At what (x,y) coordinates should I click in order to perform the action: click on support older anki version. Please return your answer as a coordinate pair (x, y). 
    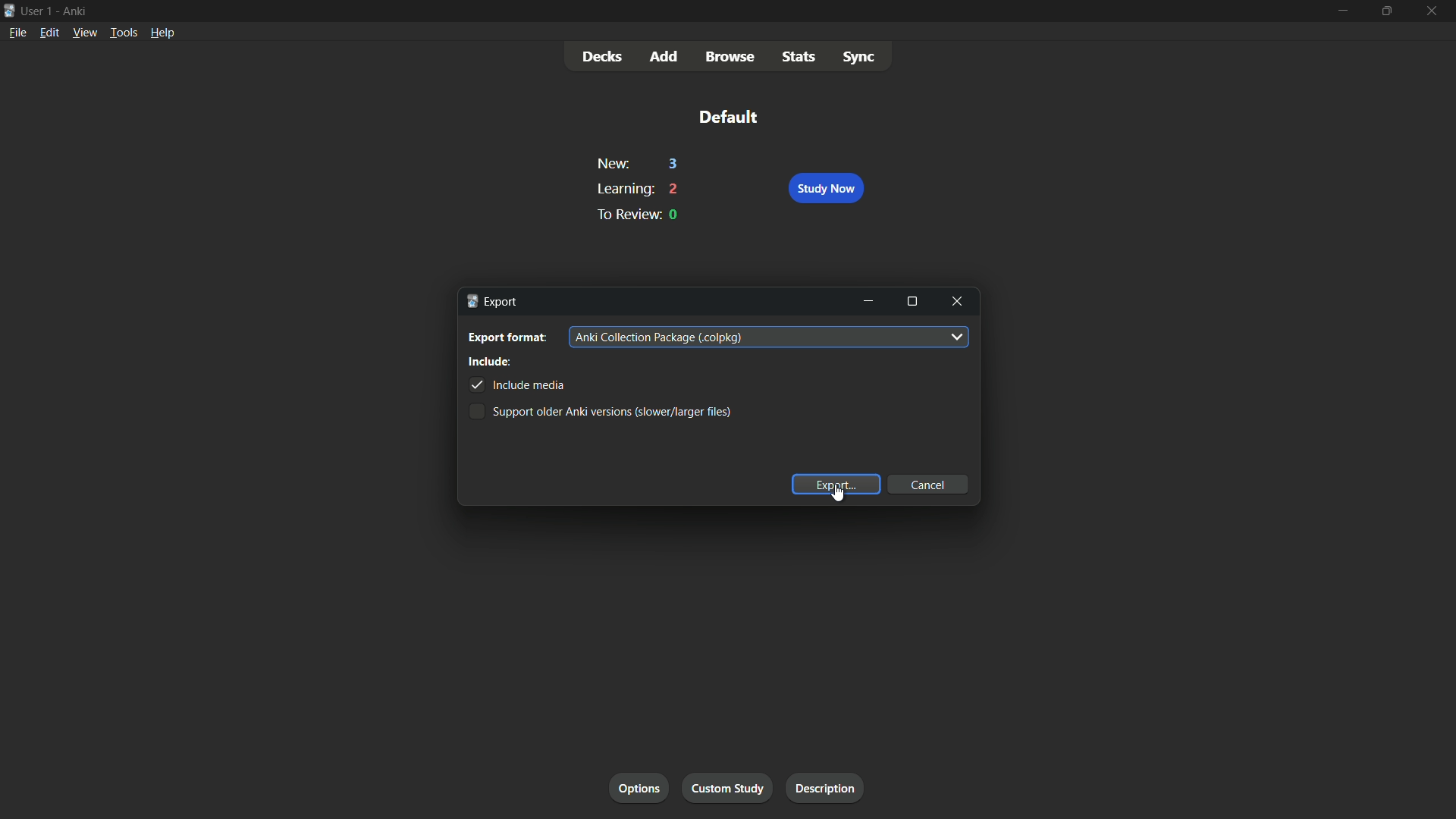
    Looking at the image, I should click on (604, 413).